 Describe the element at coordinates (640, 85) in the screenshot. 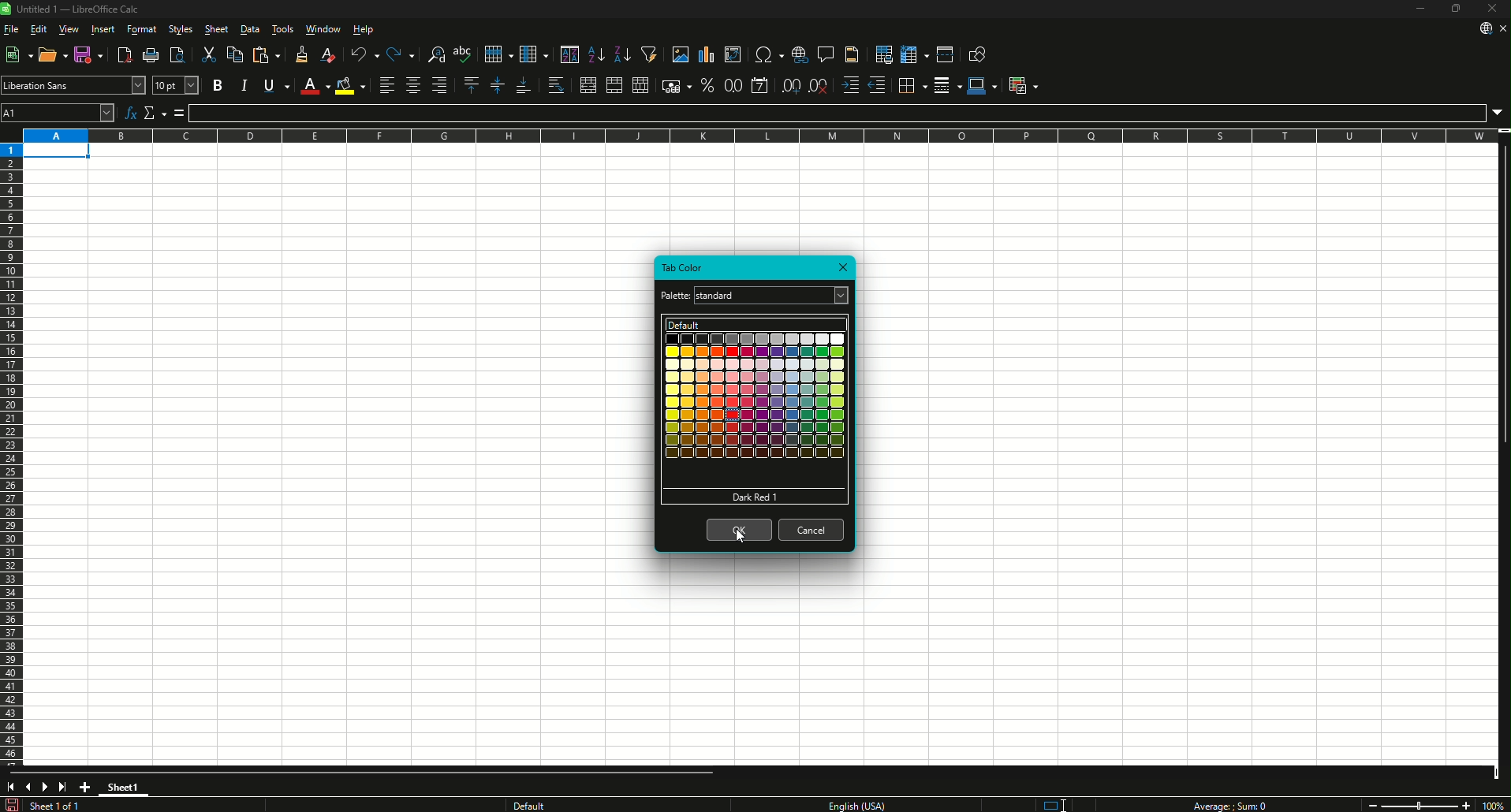

I see `Unmerge Cells` at that location.